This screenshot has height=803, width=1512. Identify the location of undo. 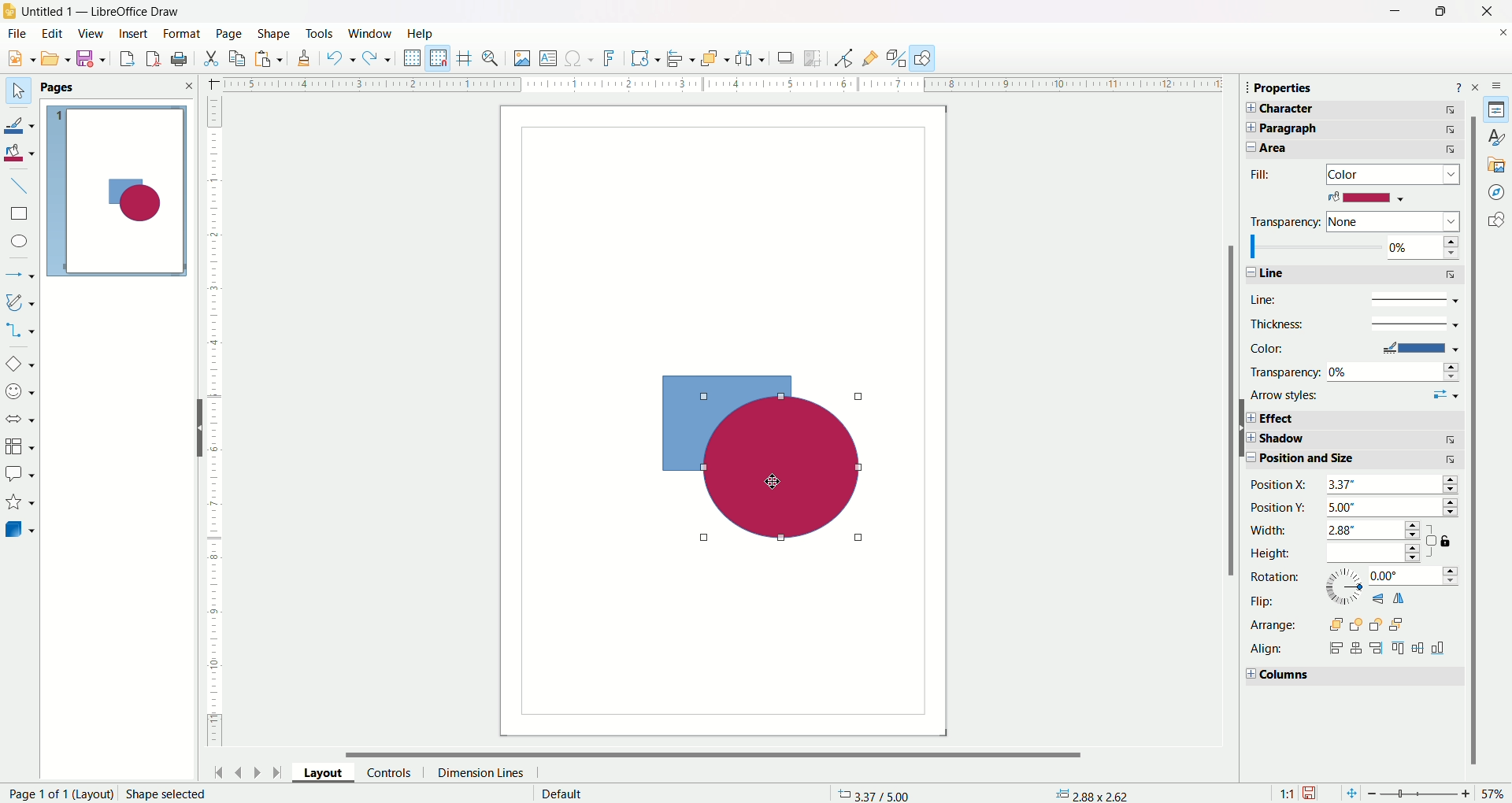
(340, 61).